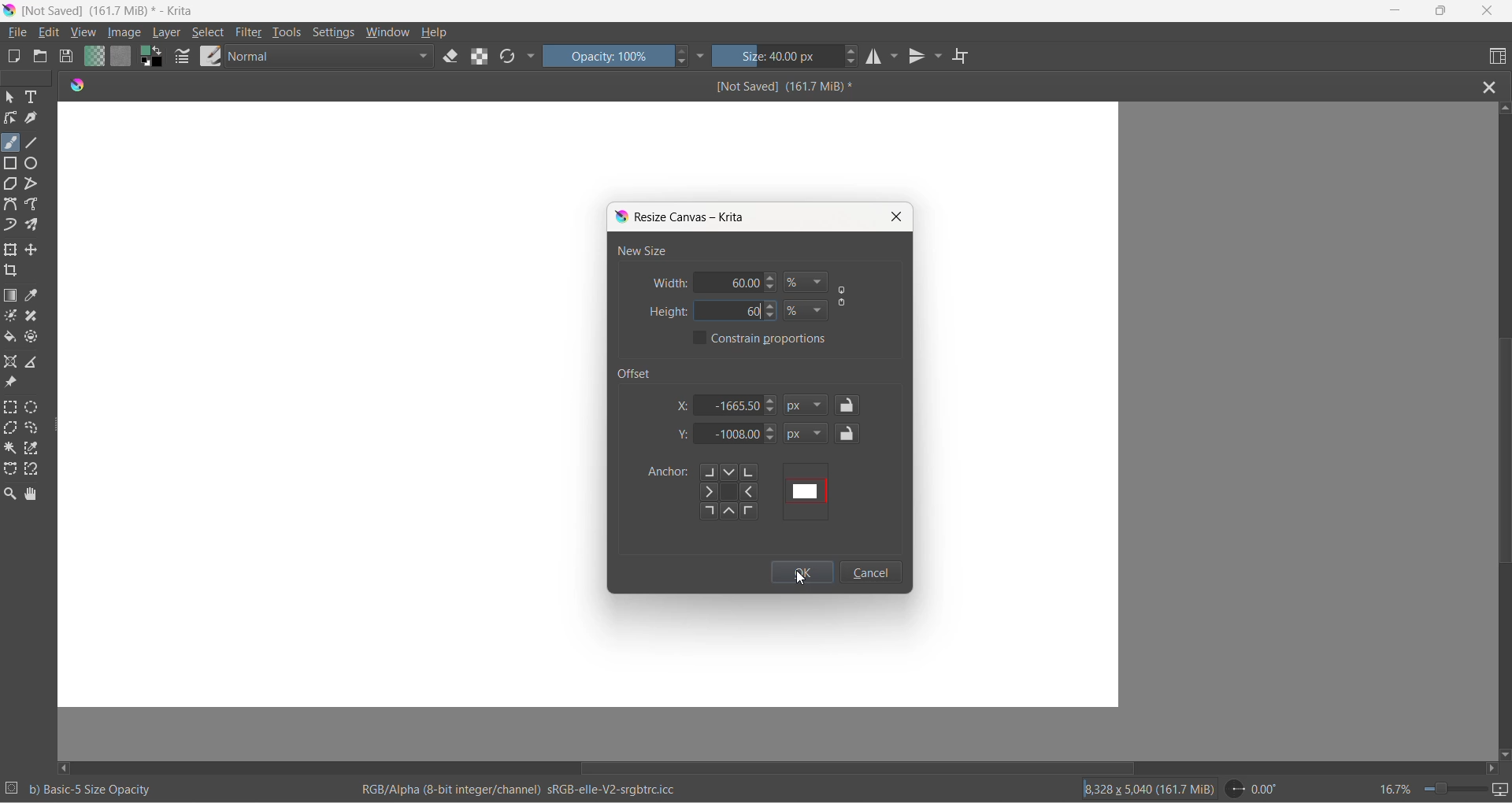 Image resolution: width=1512 pixels, height=803 pixels. Describe the element at coordinates (10, 98) in the screenshot. I see `select shape tool` at that location.